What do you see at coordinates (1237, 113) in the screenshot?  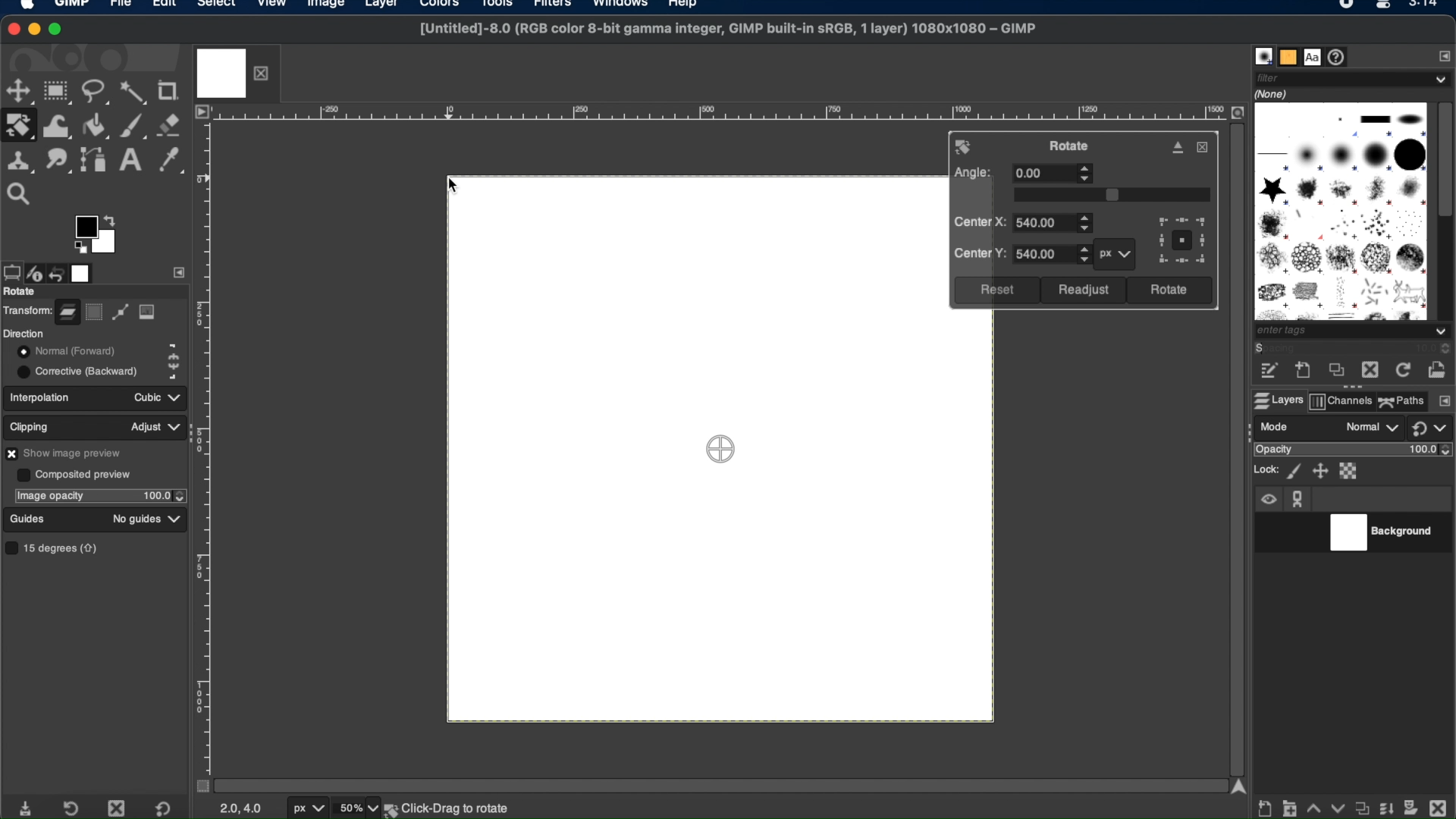 I see `zoom image when window size changes` at bounding box center [1237, 113].